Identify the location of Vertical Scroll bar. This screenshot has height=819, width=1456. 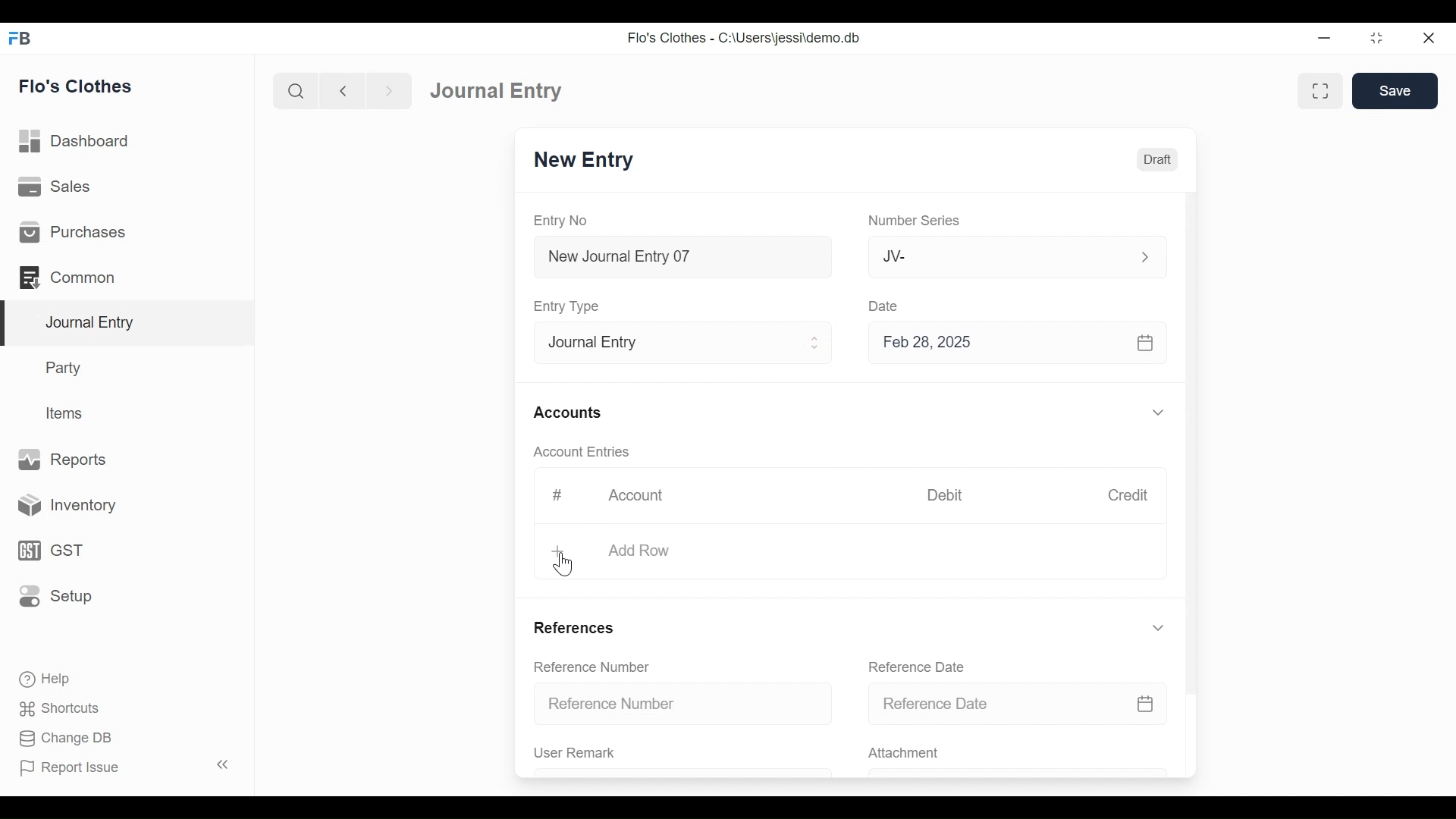
(1193, 428).